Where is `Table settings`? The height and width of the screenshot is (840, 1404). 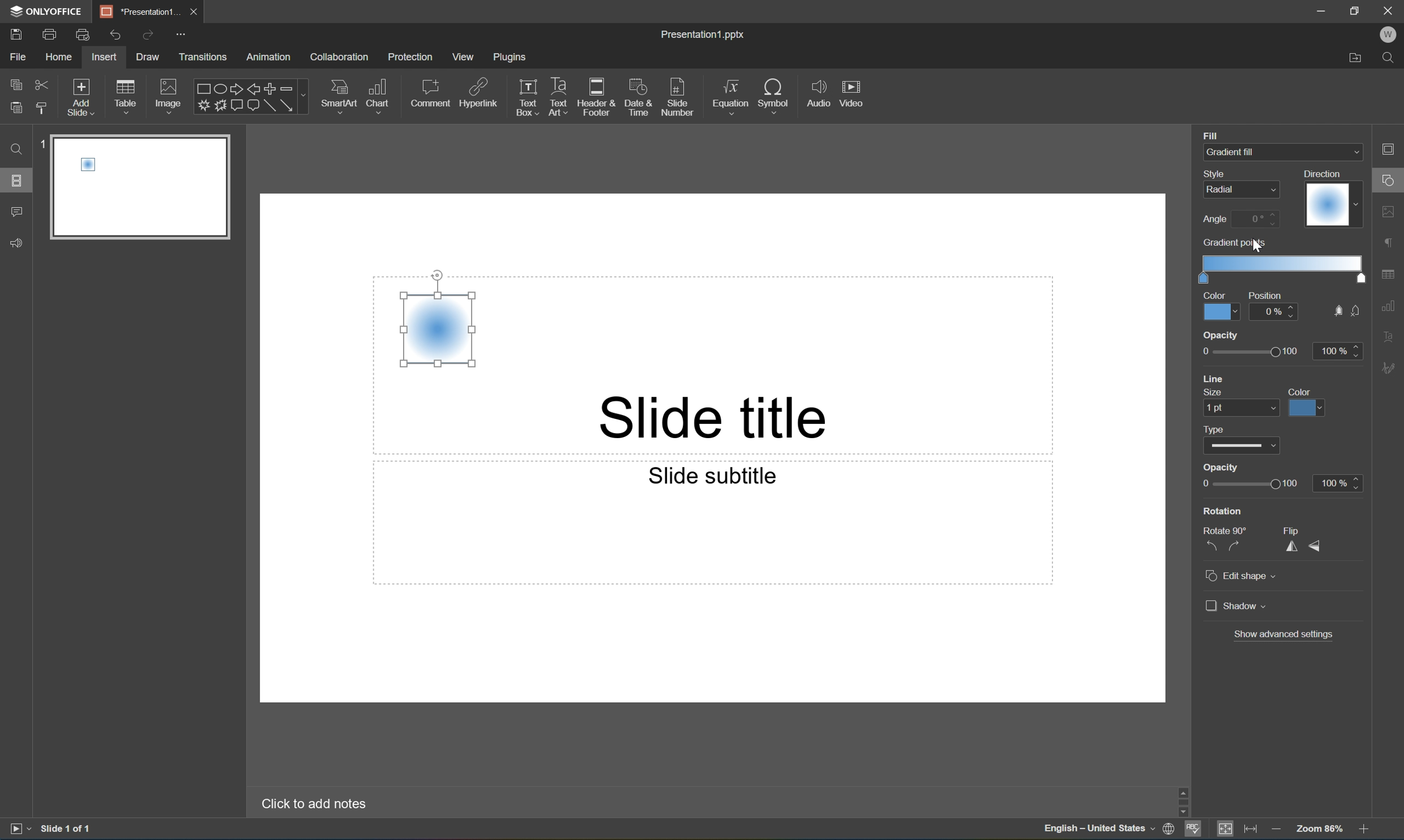 Table settings is located at coordinates (1391, 275).